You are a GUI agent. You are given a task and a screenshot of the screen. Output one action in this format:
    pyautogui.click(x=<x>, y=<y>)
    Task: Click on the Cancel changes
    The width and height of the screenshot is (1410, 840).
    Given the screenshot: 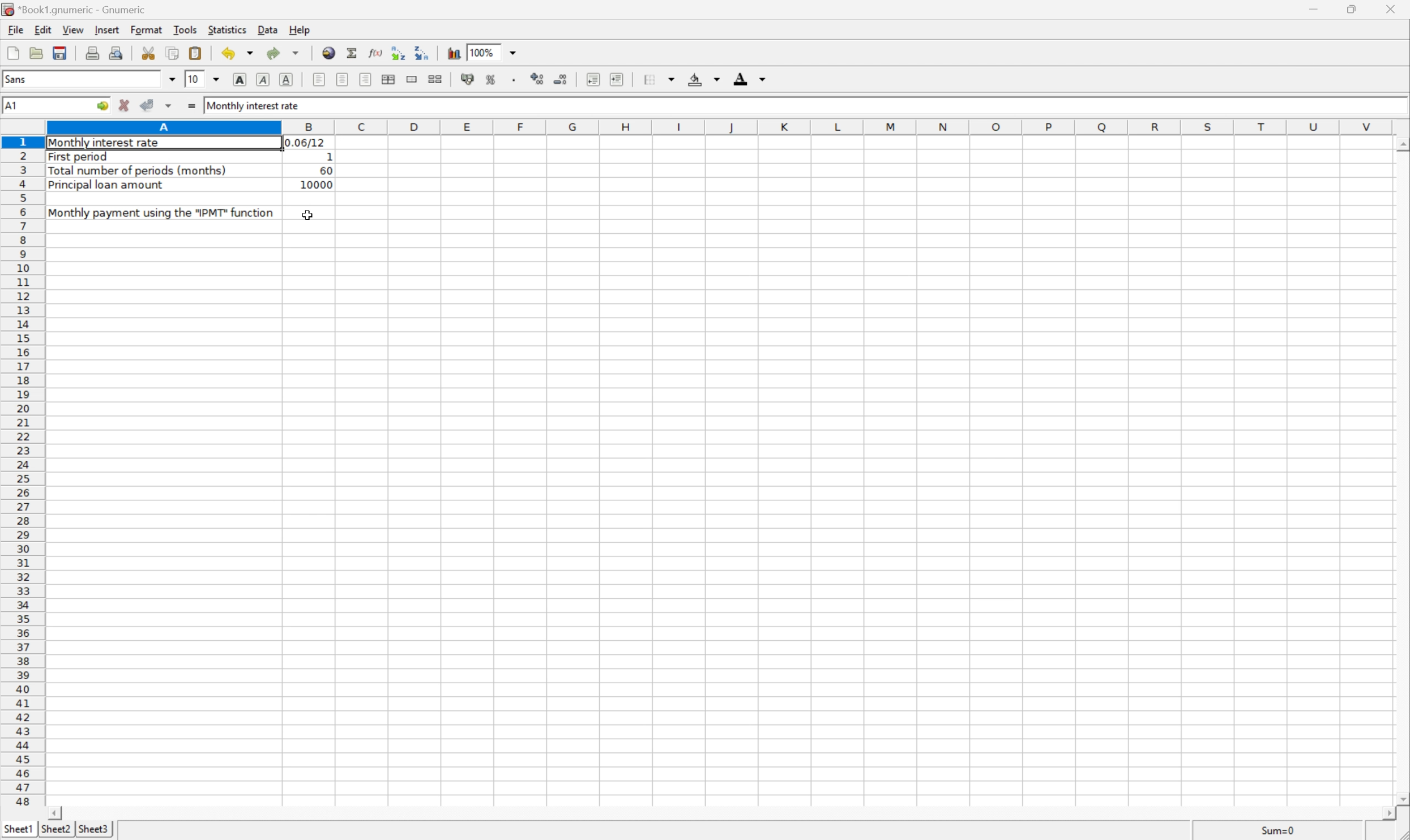 What is the action you would take?
    pyautogui.click(x=123, y=104)
    